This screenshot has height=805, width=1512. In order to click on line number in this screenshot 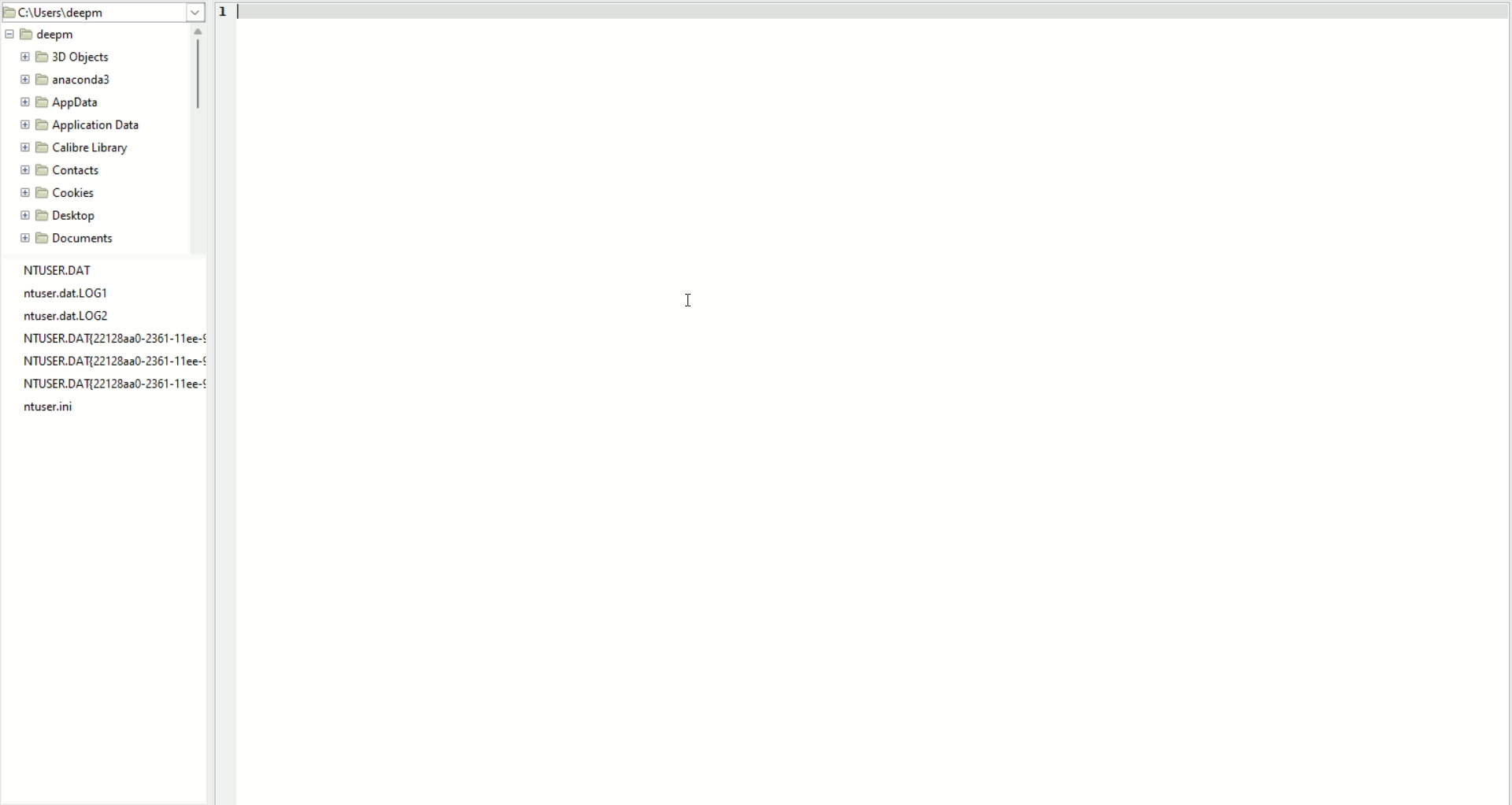, I will do `click(228, 13)`.